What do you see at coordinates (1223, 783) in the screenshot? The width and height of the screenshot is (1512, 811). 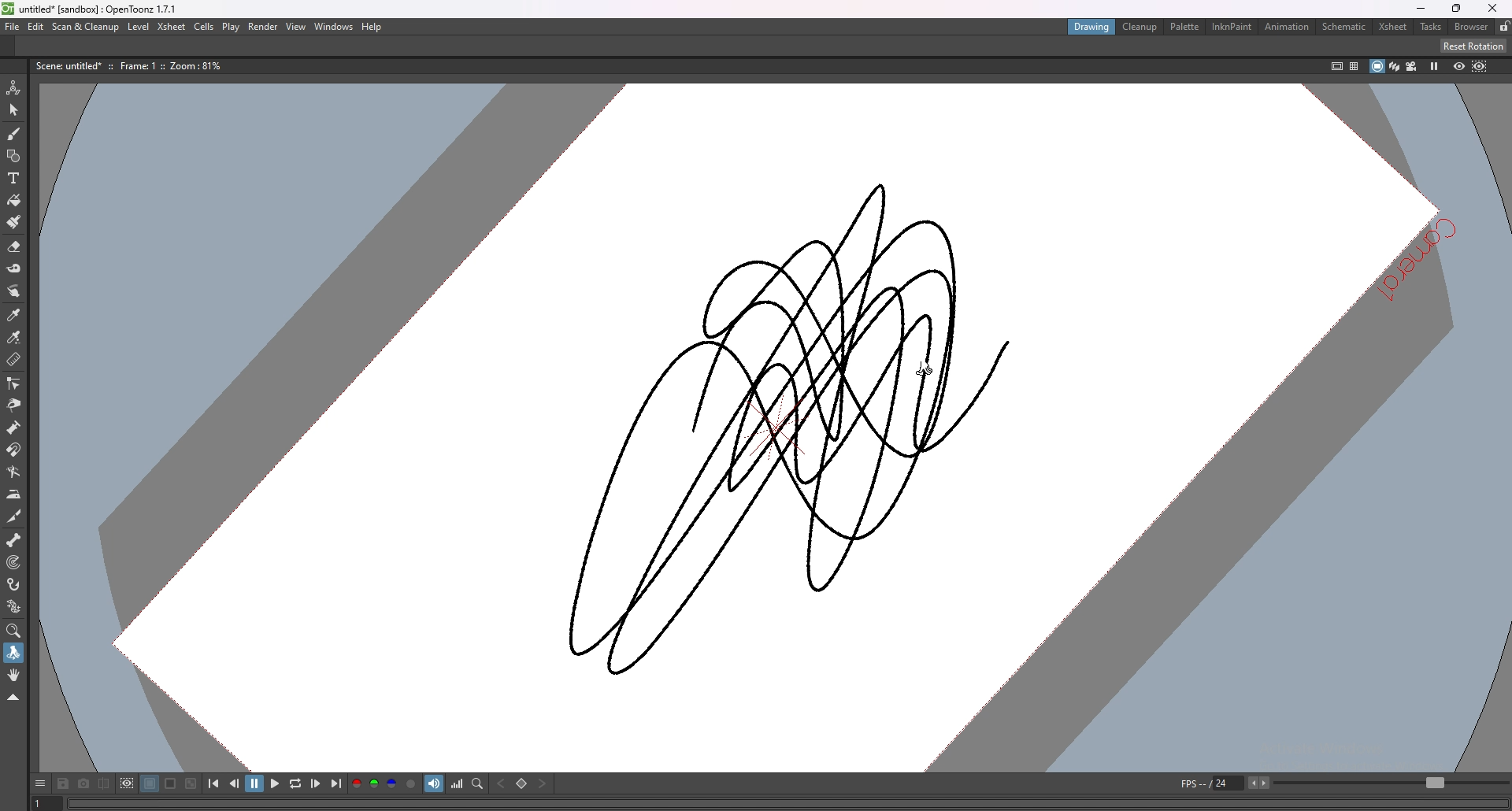 I see `fps` at bounding box center [1223, 783].